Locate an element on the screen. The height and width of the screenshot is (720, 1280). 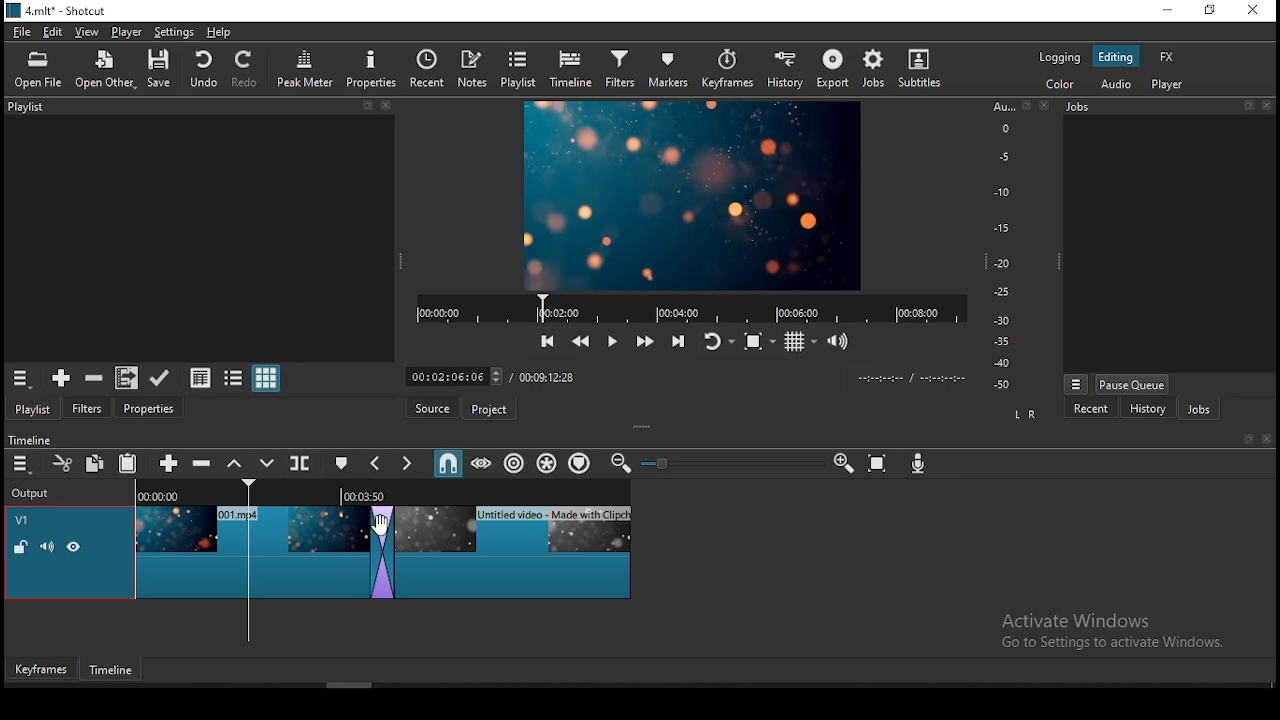
add the source to the playlist is located at coordinates (59, 378).